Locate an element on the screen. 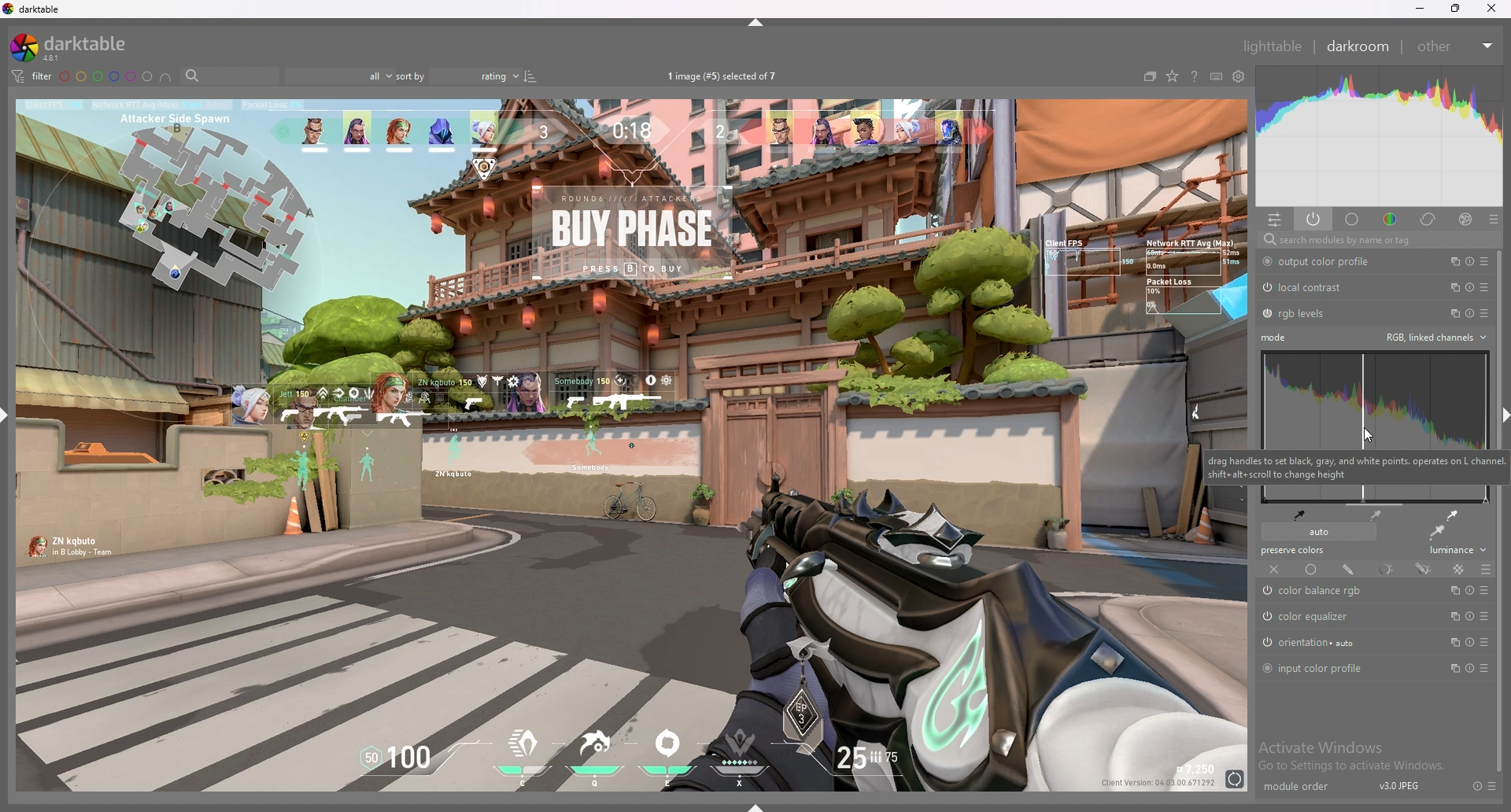 The image size is (1511, 812). collapse grouped images is located at coordinates (1151, 77).